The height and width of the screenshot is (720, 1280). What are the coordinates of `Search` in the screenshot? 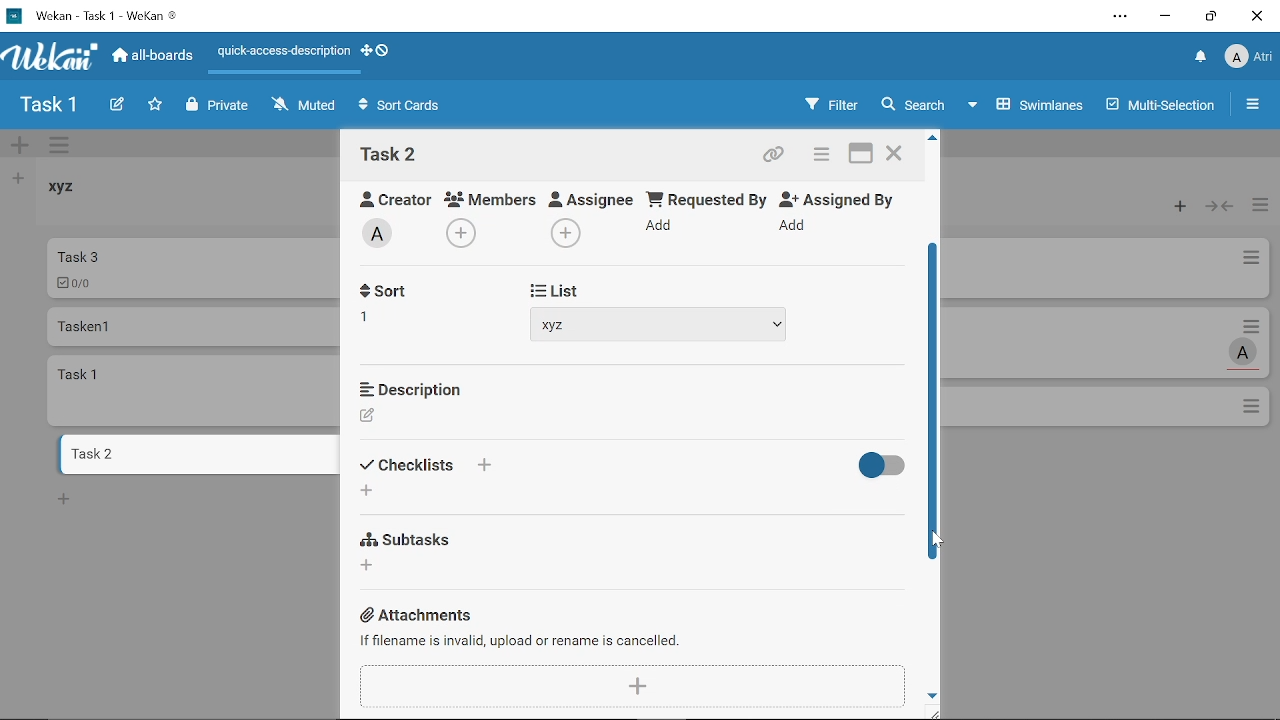 It's located at (912, 105).